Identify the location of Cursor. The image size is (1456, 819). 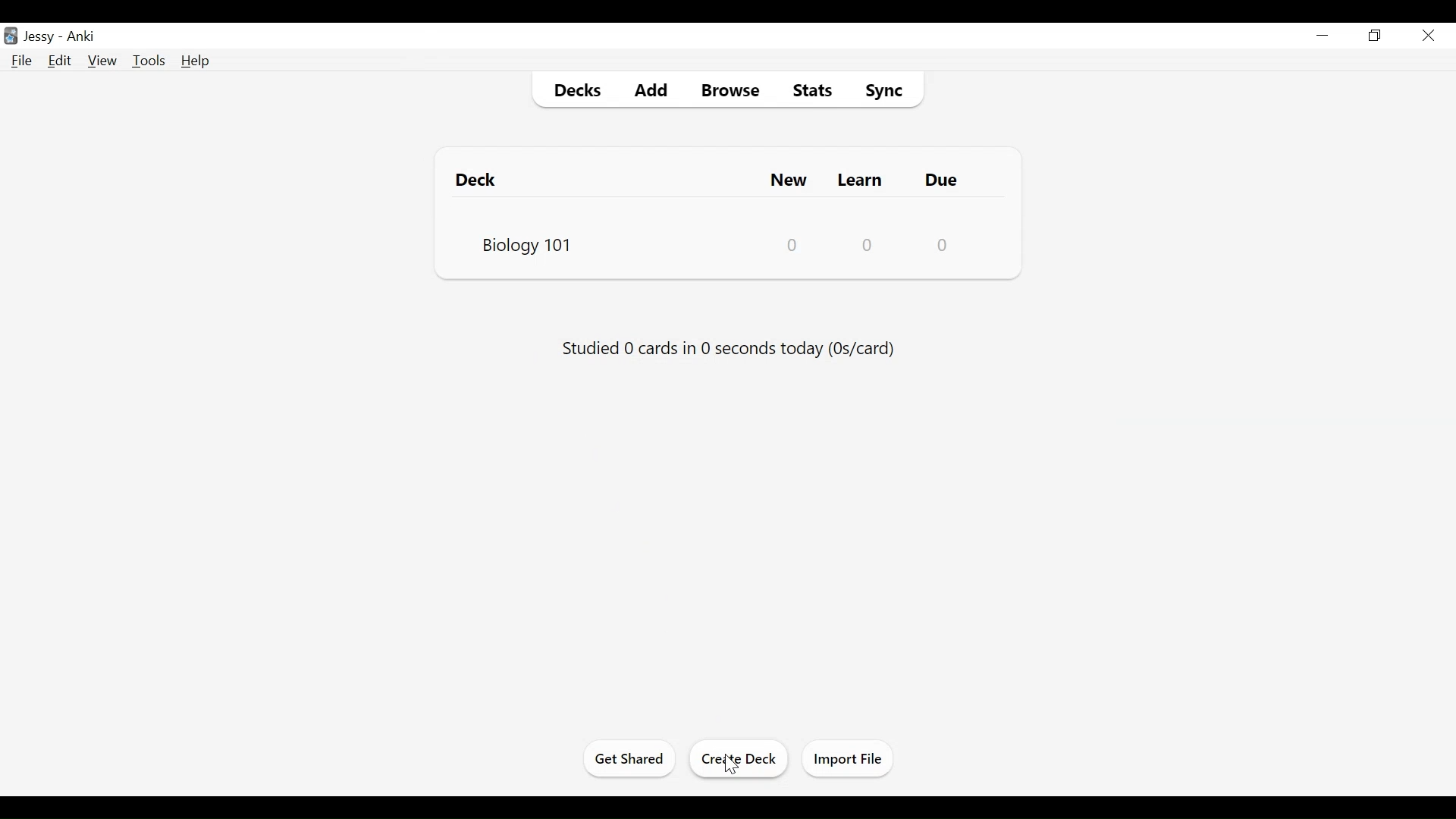
(732, 766).